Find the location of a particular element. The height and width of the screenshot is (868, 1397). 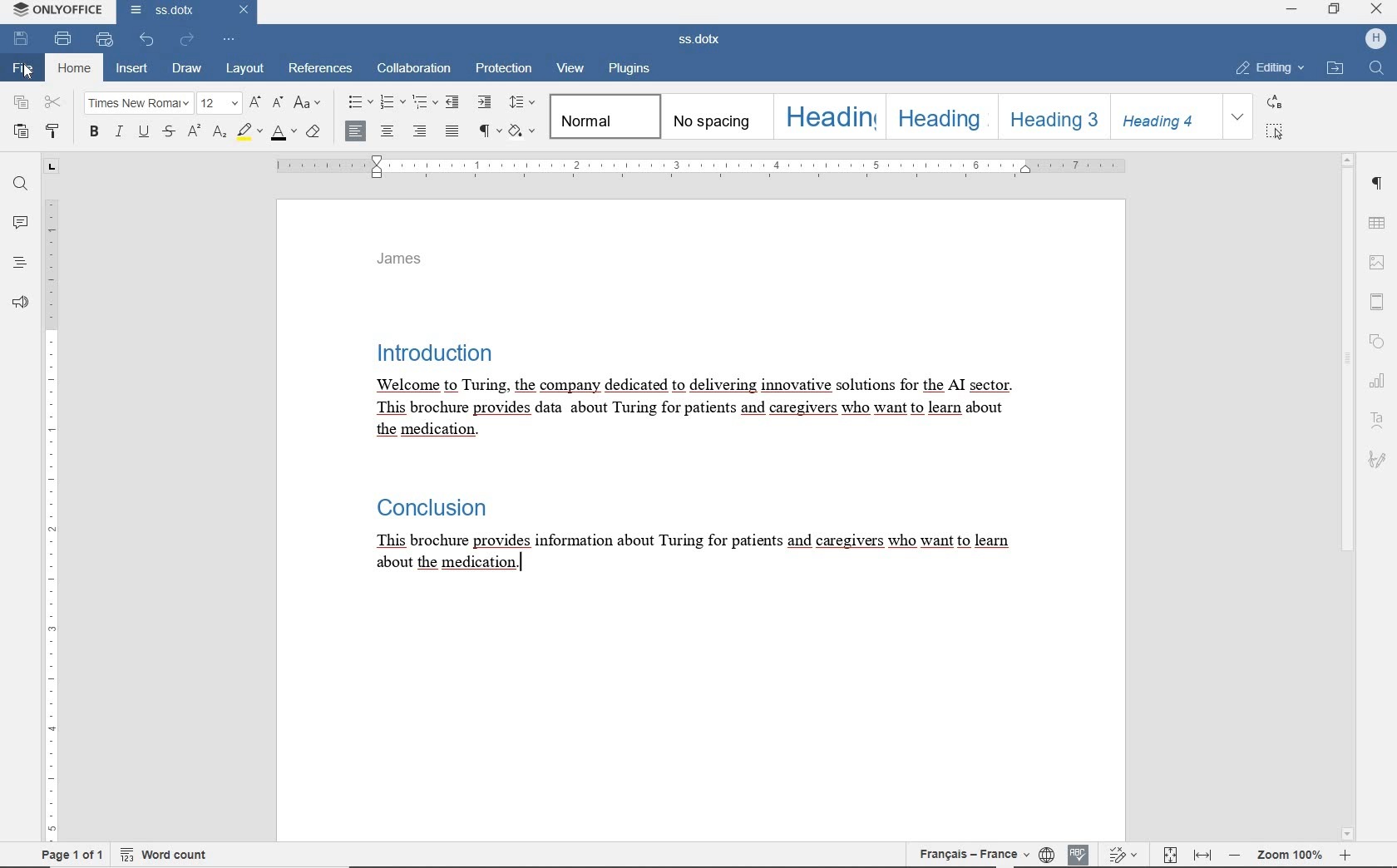

IMAGE is located at coordinates (1378, 262).